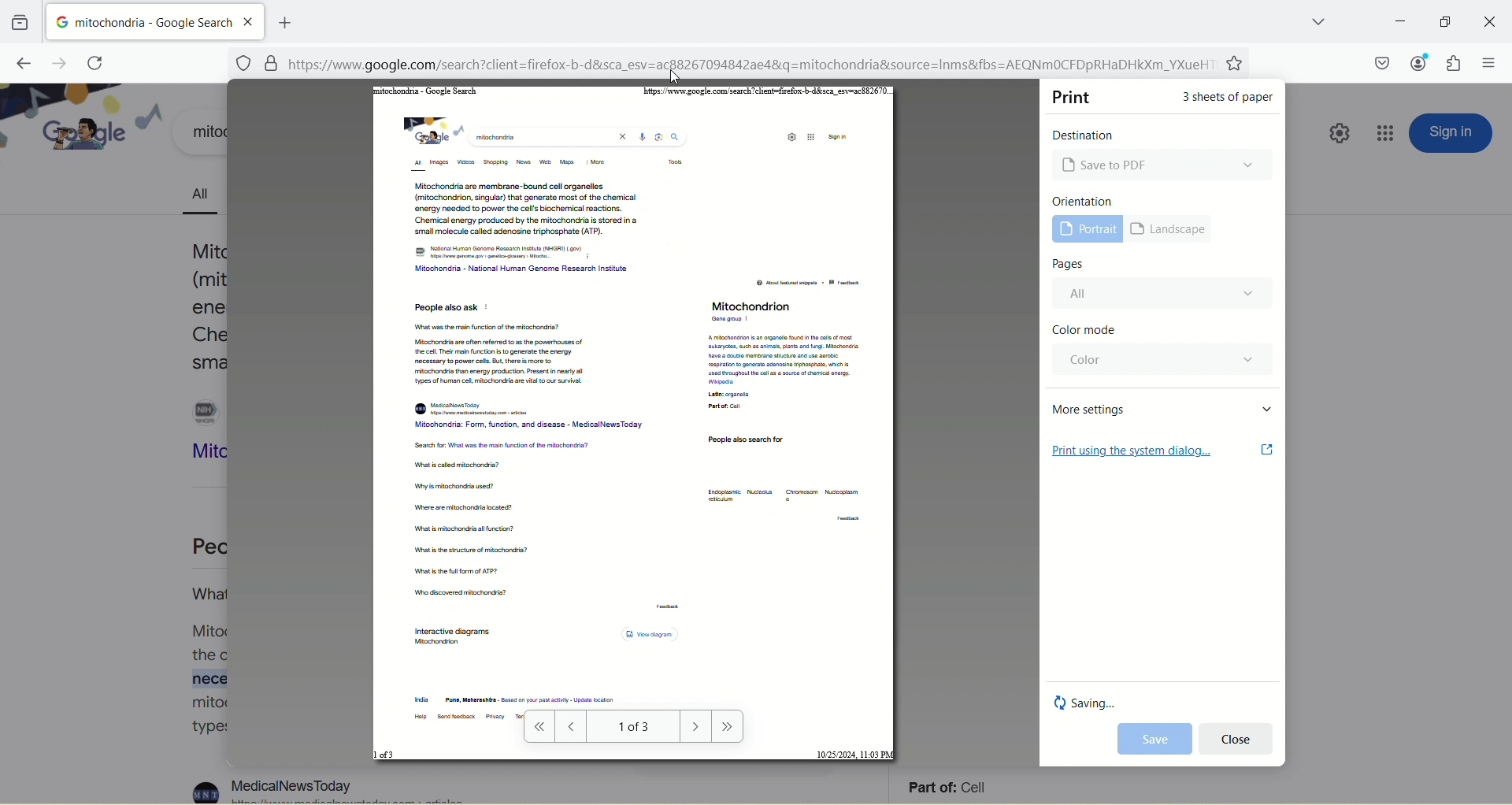  Describe the element at coordinates (271, 63) in the screenshot. I see `security` at that location.